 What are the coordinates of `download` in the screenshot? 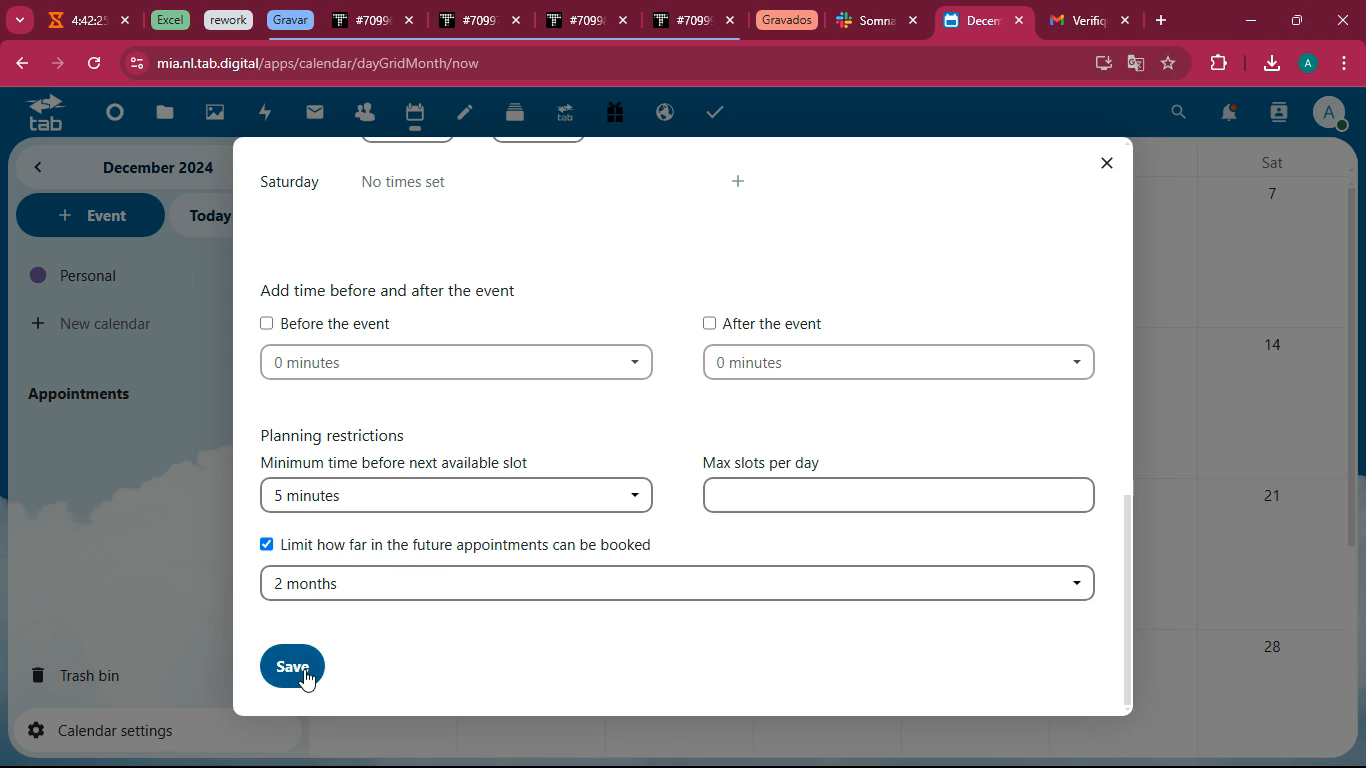 It's located at (1270, 65).